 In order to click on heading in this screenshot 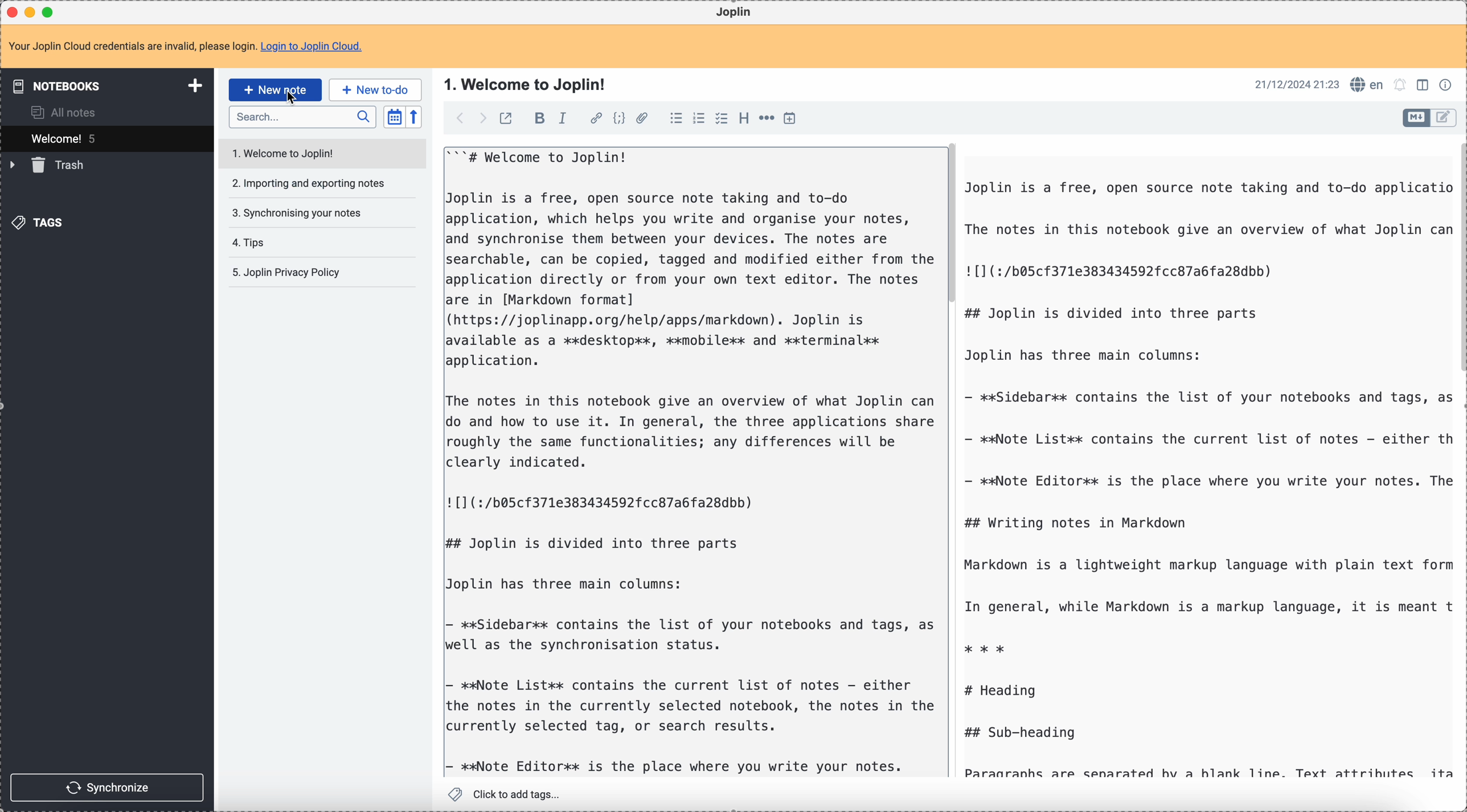, I will do `click(744, 117)`.